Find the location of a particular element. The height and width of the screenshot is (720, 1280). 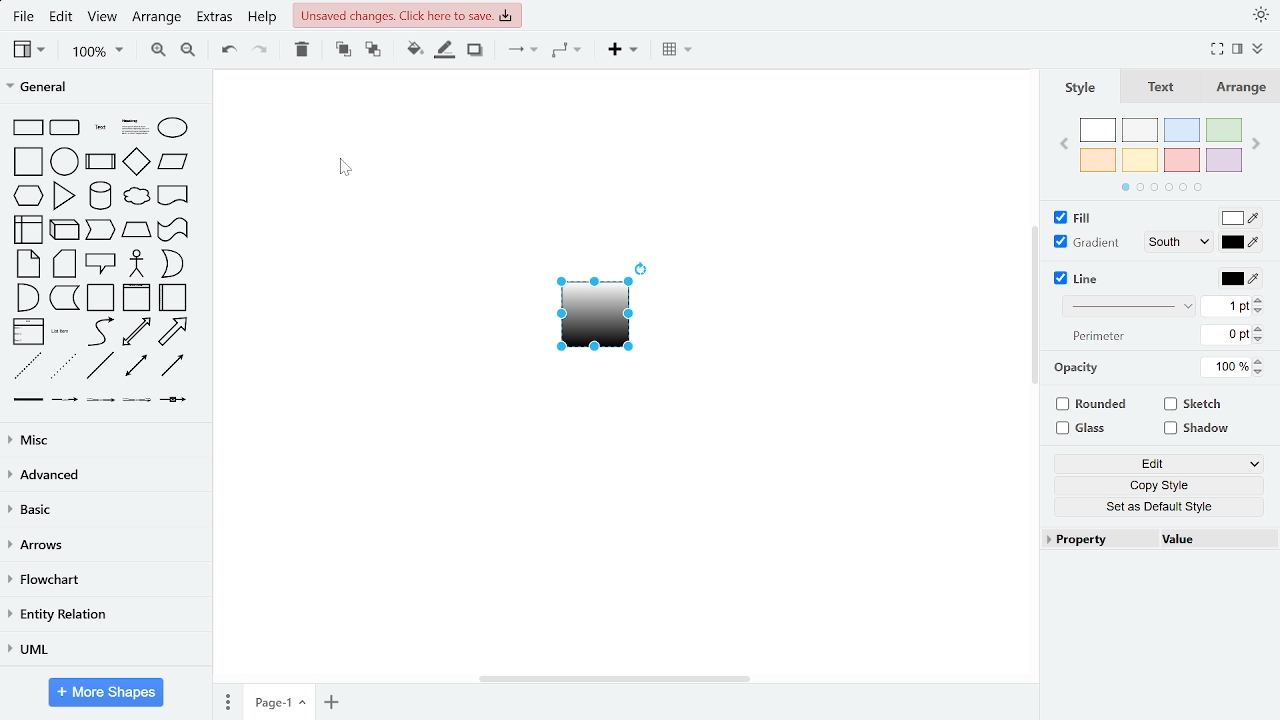

Opacity is located at coordinates (1076, 369).